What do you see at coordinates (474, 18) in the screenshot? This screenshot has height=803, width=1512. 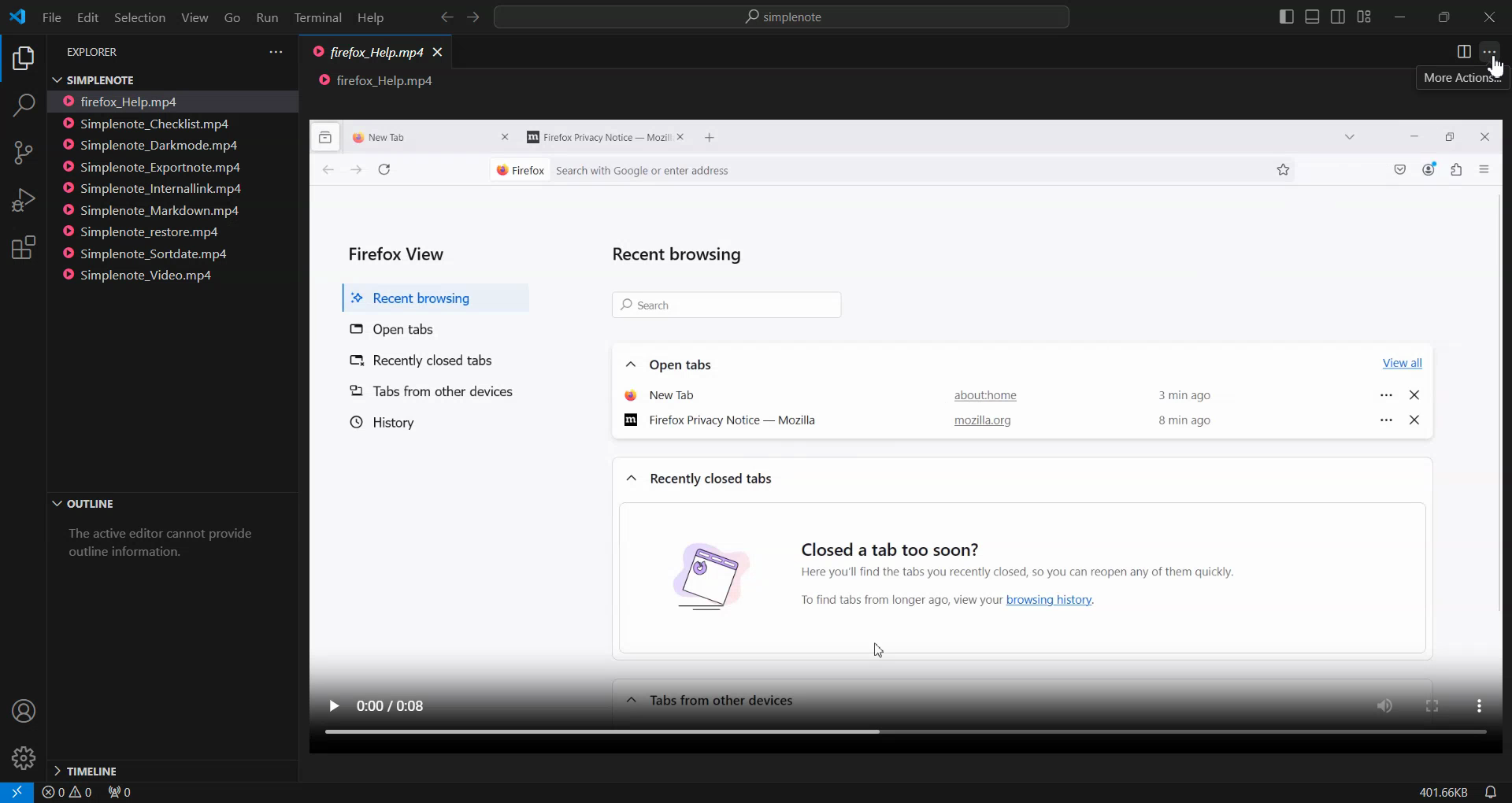 I see `Go forward` at bounding box center [474, 18].